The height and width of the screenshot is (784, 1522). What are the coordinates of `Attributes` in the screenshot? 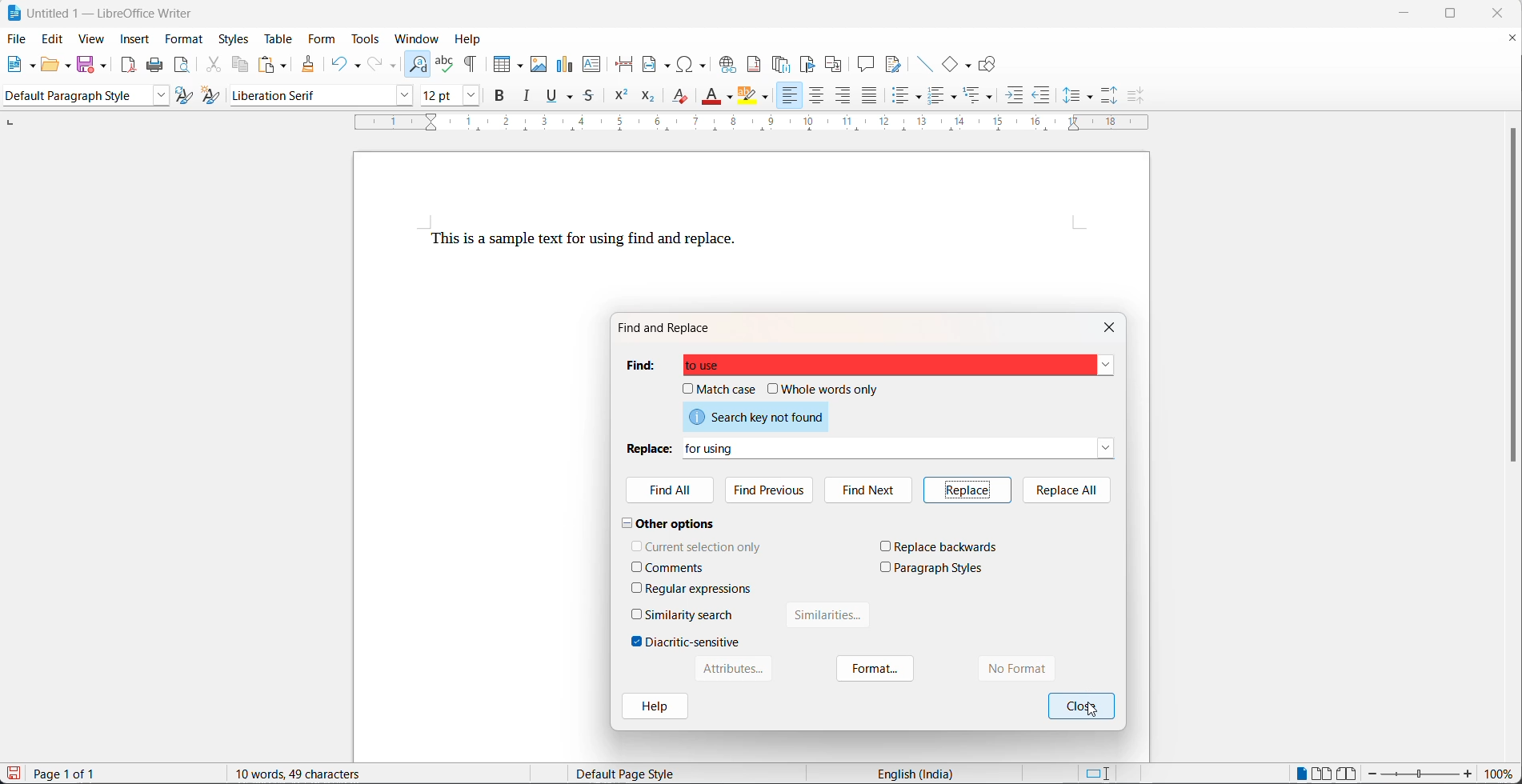 It's located at (731, 669).